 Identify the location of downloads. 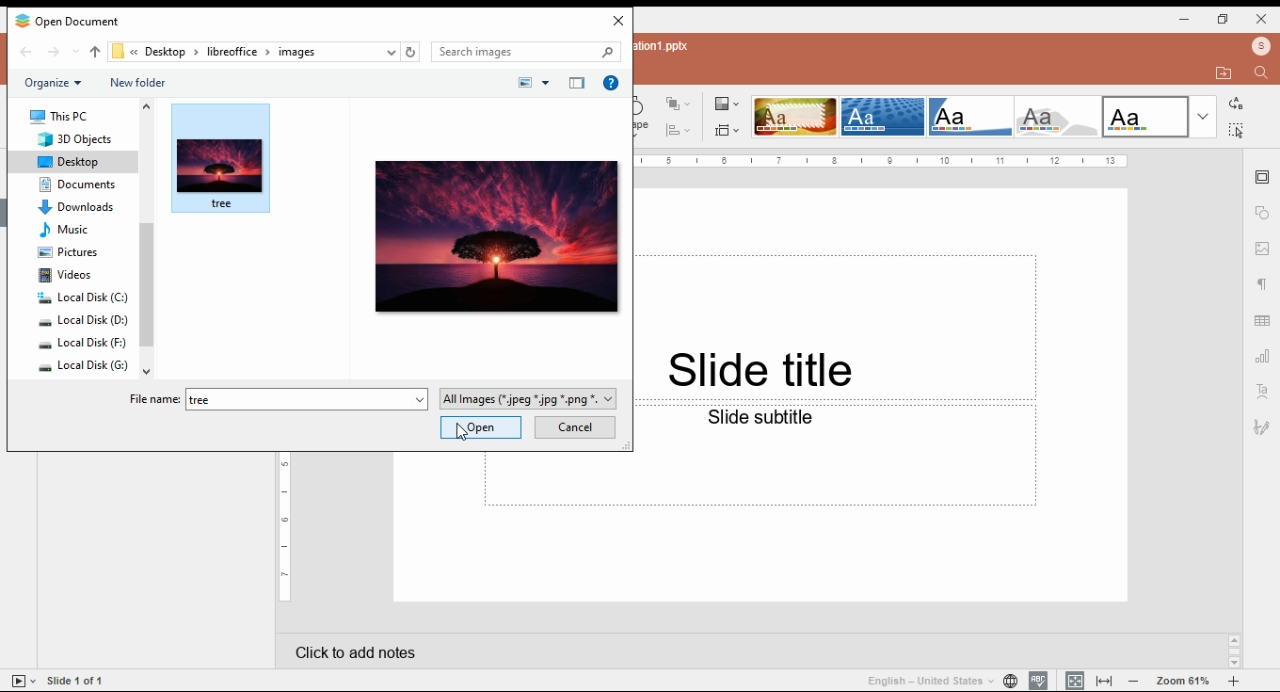
(74, 205).